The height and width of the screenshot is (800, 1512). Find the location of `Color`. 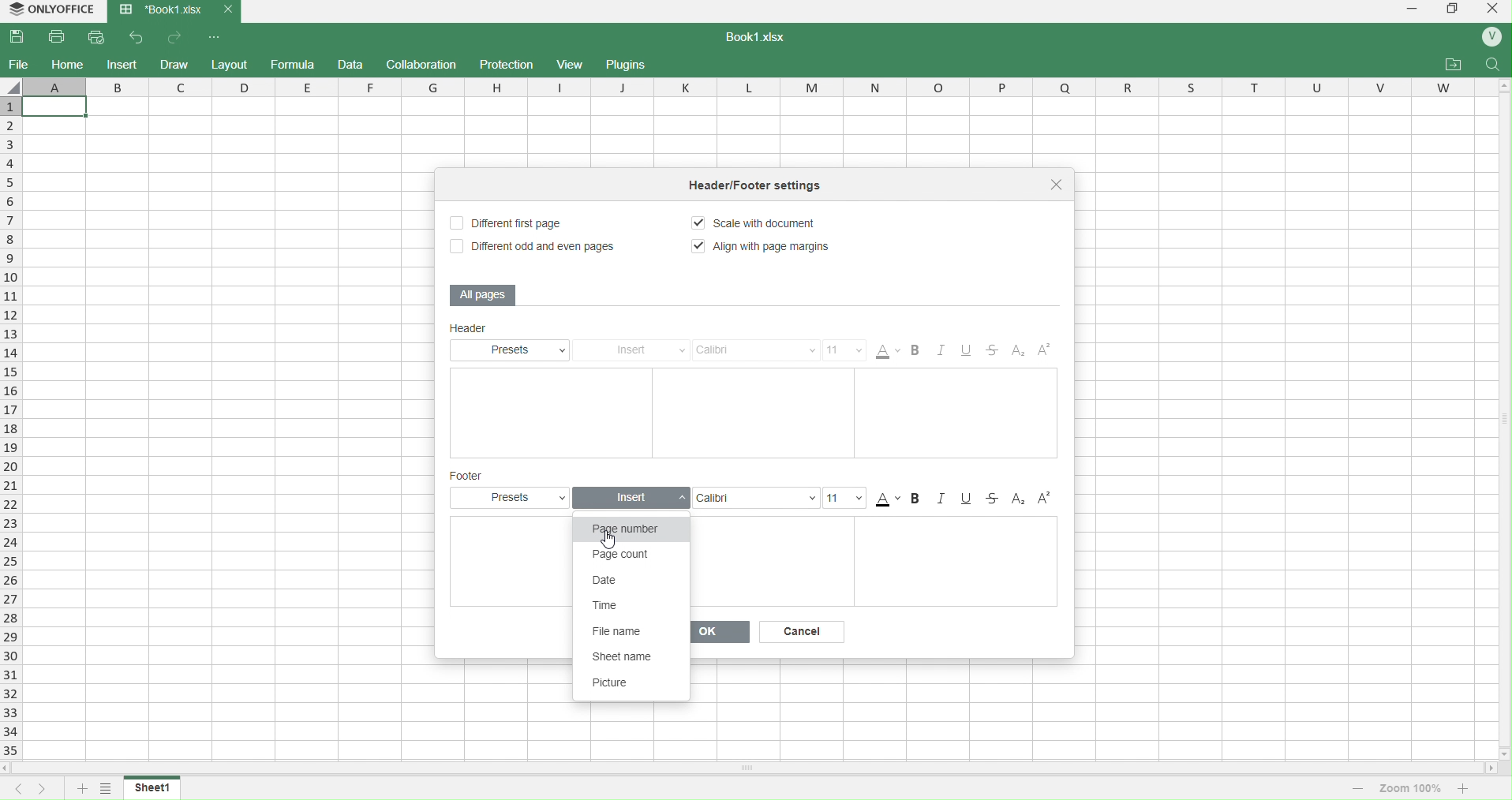

Color is located at coordinates (888, 499).